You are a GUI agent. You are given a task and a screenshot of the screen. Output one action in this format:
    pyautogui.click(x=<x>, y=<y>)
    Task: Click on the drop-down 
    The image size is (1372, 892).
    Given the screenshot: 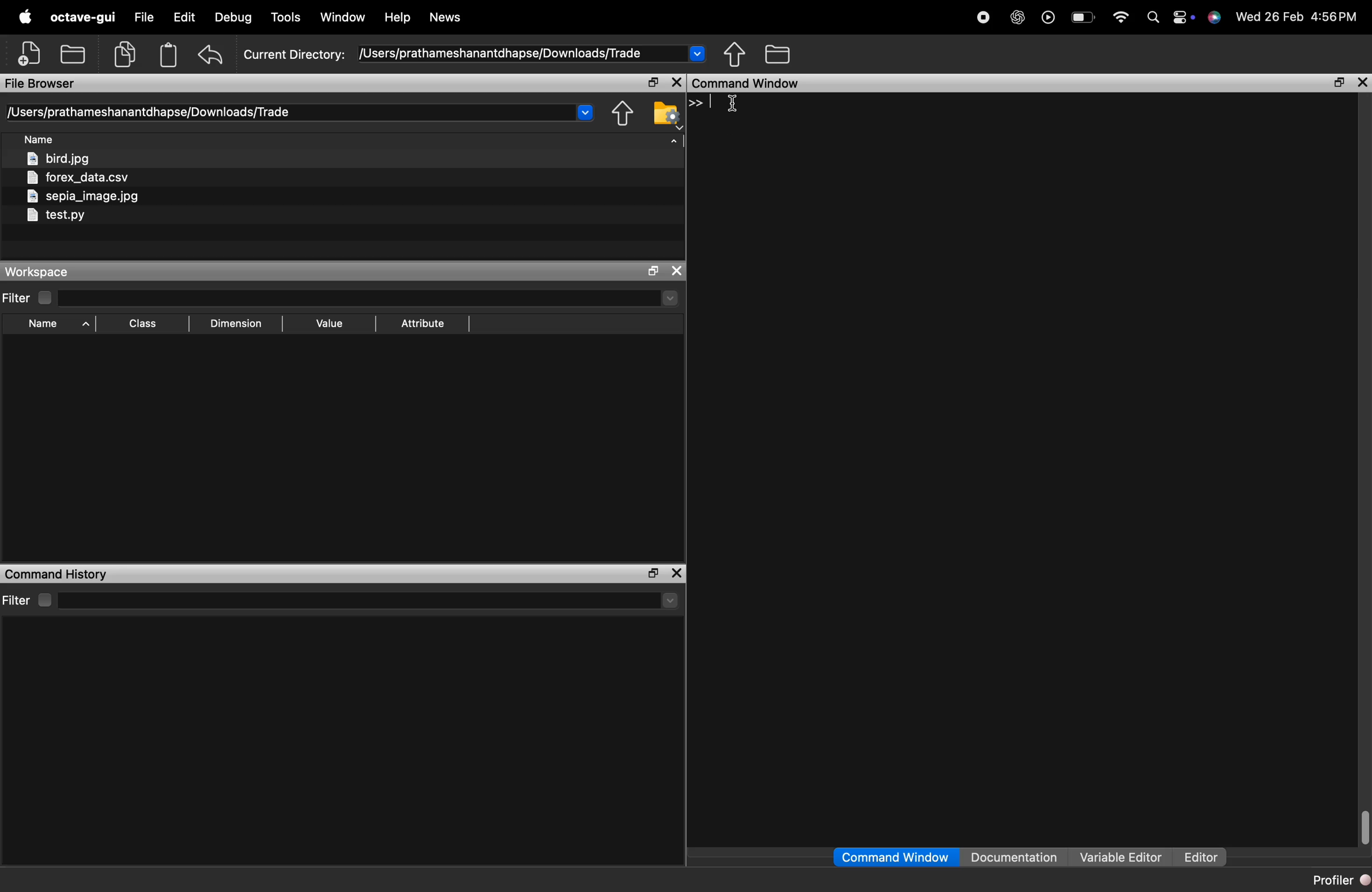 What is the action you would take?
    pyautogui.click(x=670, y=296)
    